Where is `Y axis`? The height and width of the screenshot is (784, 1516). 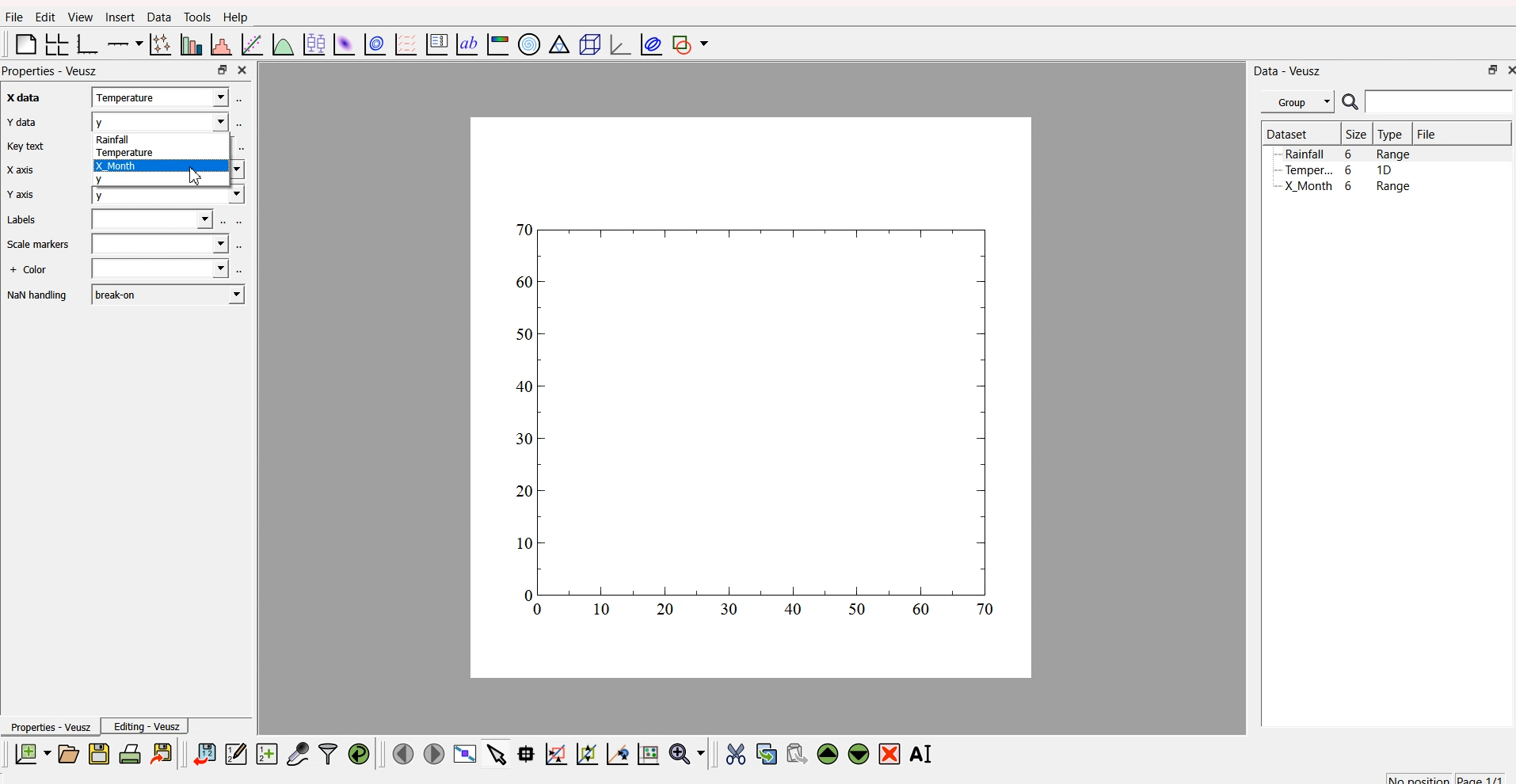
Y axis is located at coordinates (20, 196).